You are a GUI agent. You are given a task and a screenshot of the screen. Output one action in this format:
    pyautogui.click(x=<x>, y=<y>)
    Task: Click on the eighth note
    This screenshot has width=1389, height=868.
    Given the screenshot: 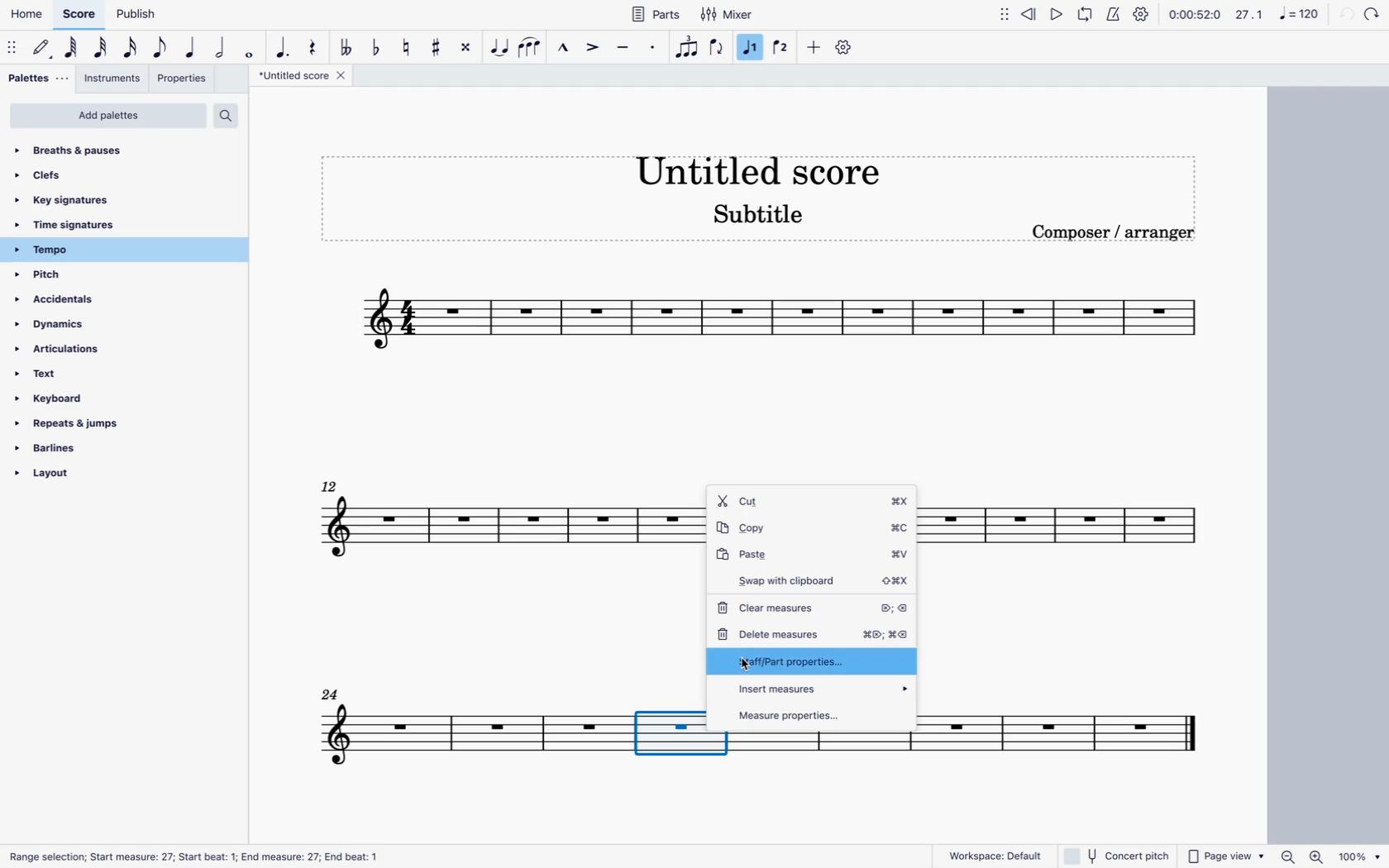 What is the action you would take?
    pyautogui.click(x=161, y=48)
    